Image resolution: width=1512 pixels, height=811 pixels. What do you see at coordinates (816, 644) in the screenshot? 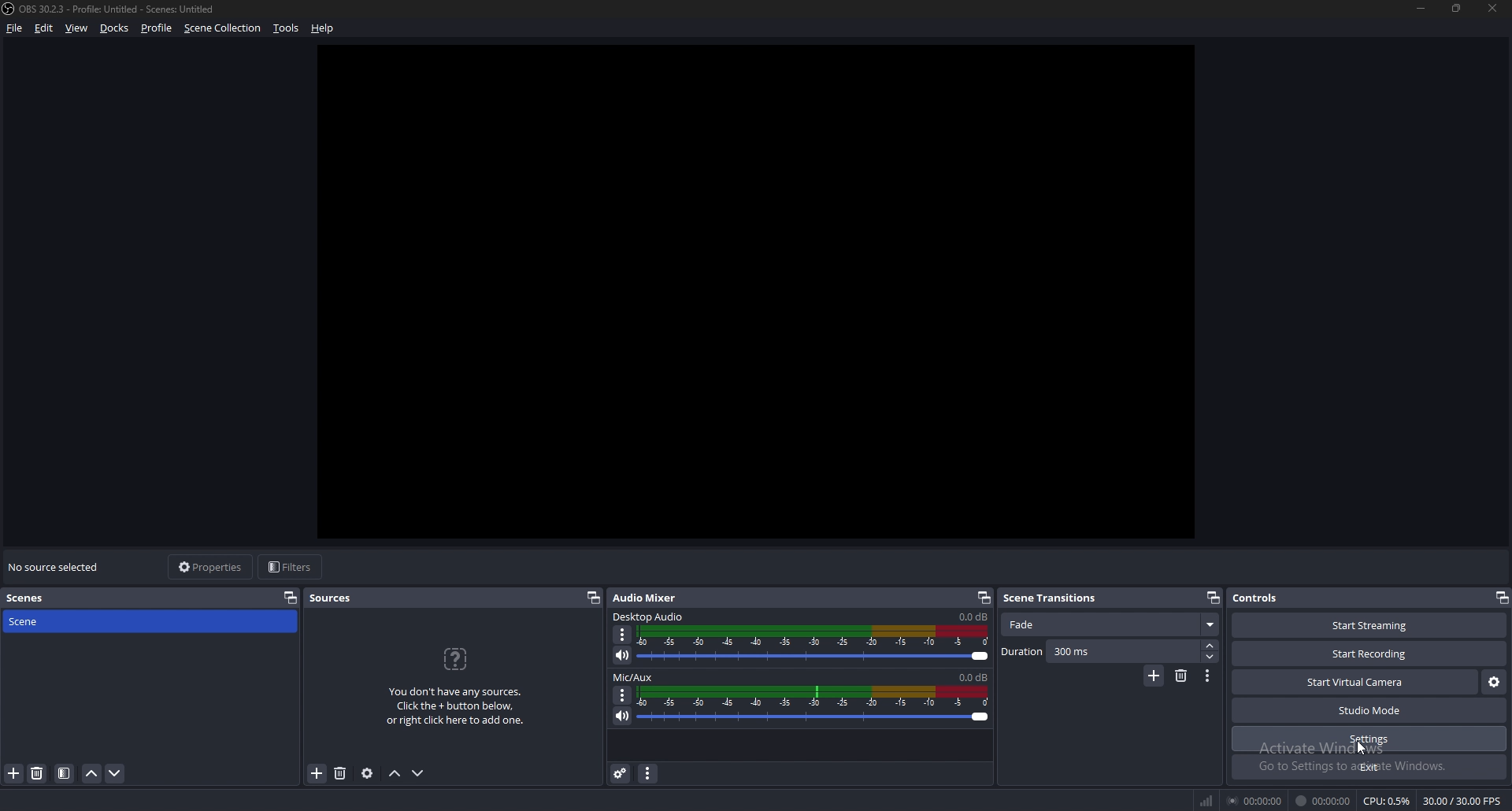
I see `audio bar` at bounding box center [816, 644].